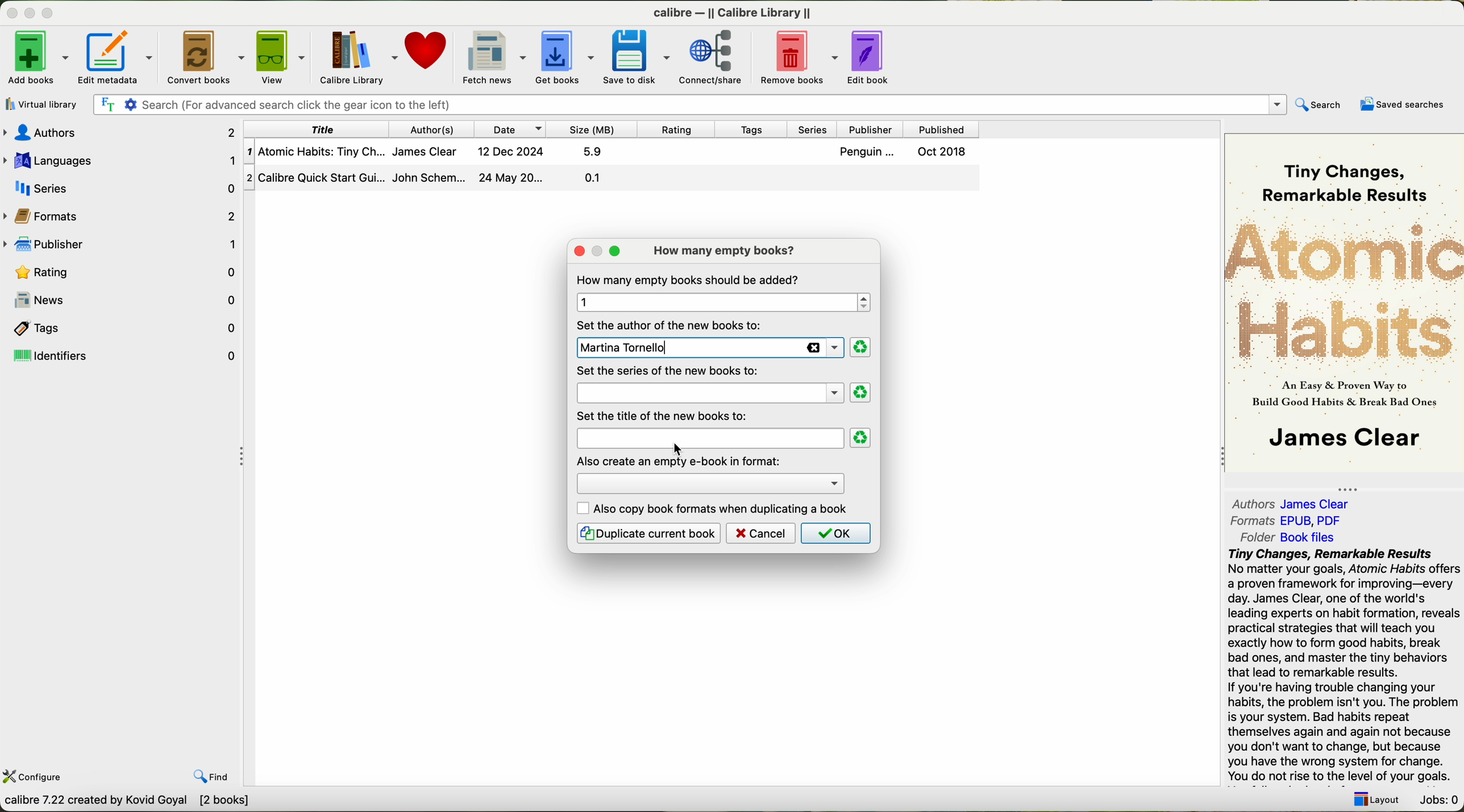 This screenshot has height=812, width=1464. Describe the element at coordinates (123, 356) in the screenshot. I see `identifiers` at that location.